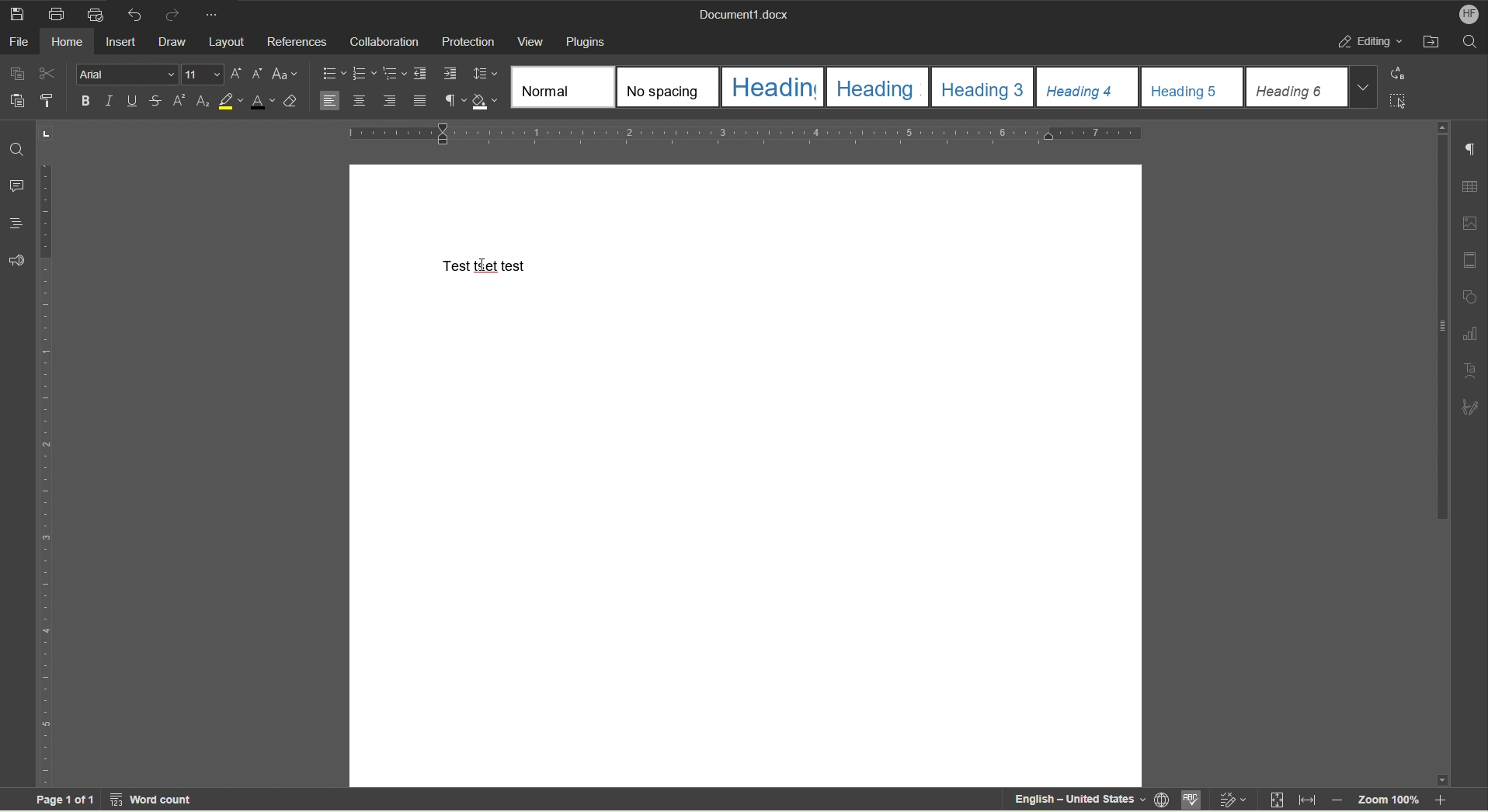  I want to click on Document Name, so click(742, 12).